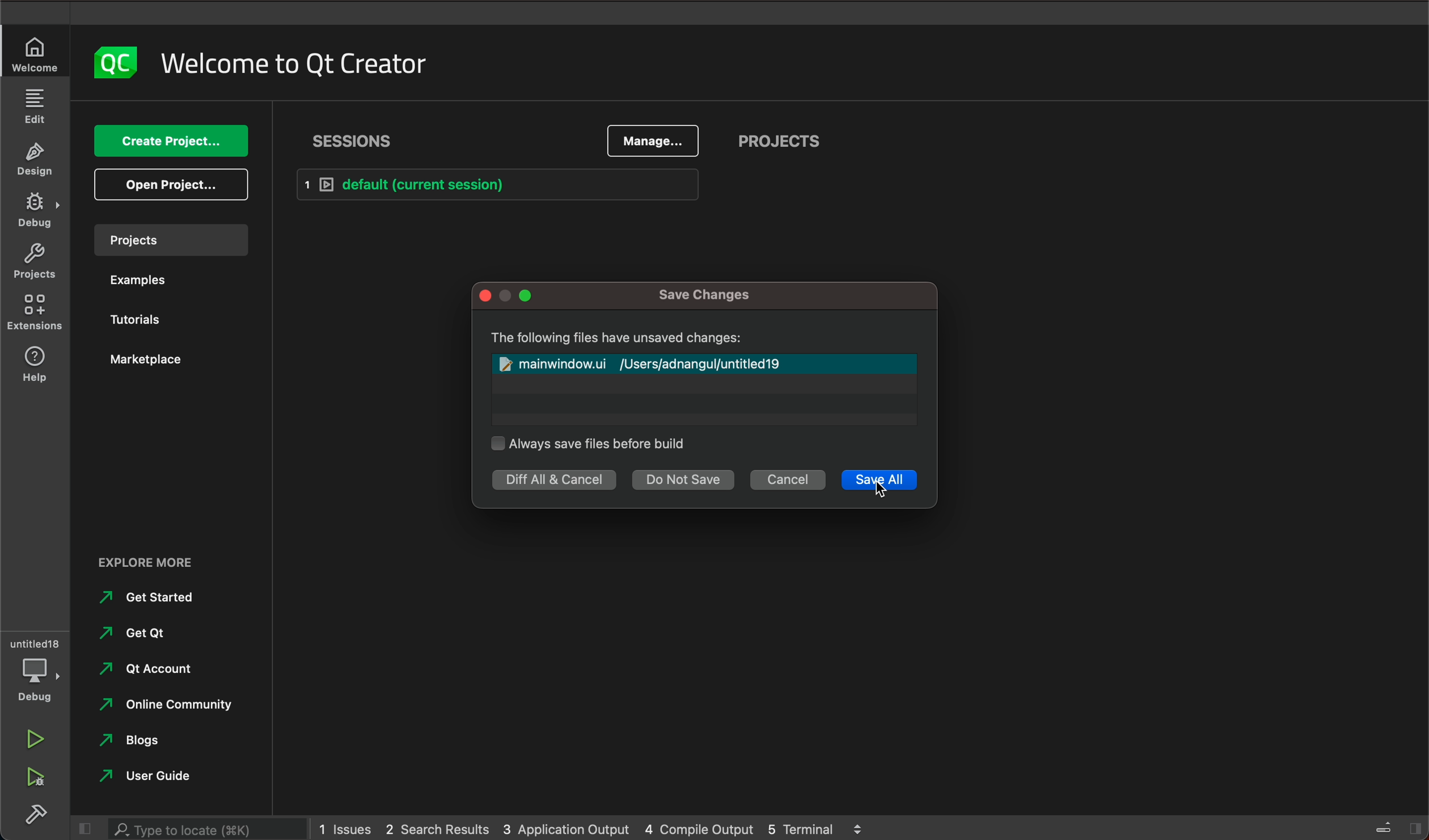 The height and width of the screenshot is (840, 1429). I want to click on sessions, so click(360, 141).